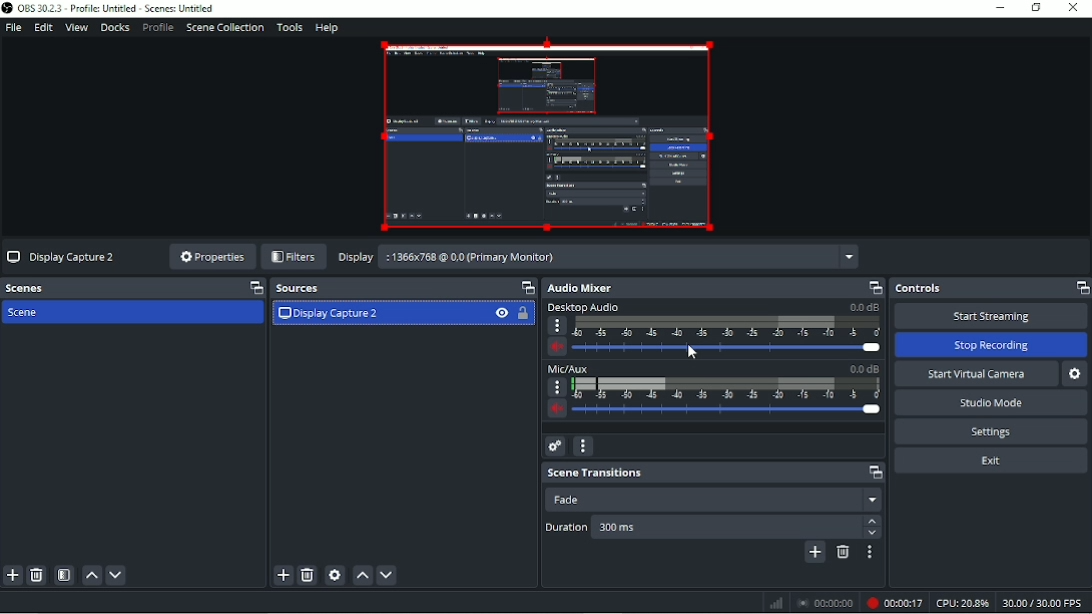 This screenshot has width=1092, height=614. What do you see at coordinates (329, 315) in the screenshot?
I see `Display Capture 2` at bounding box center [329, 315].